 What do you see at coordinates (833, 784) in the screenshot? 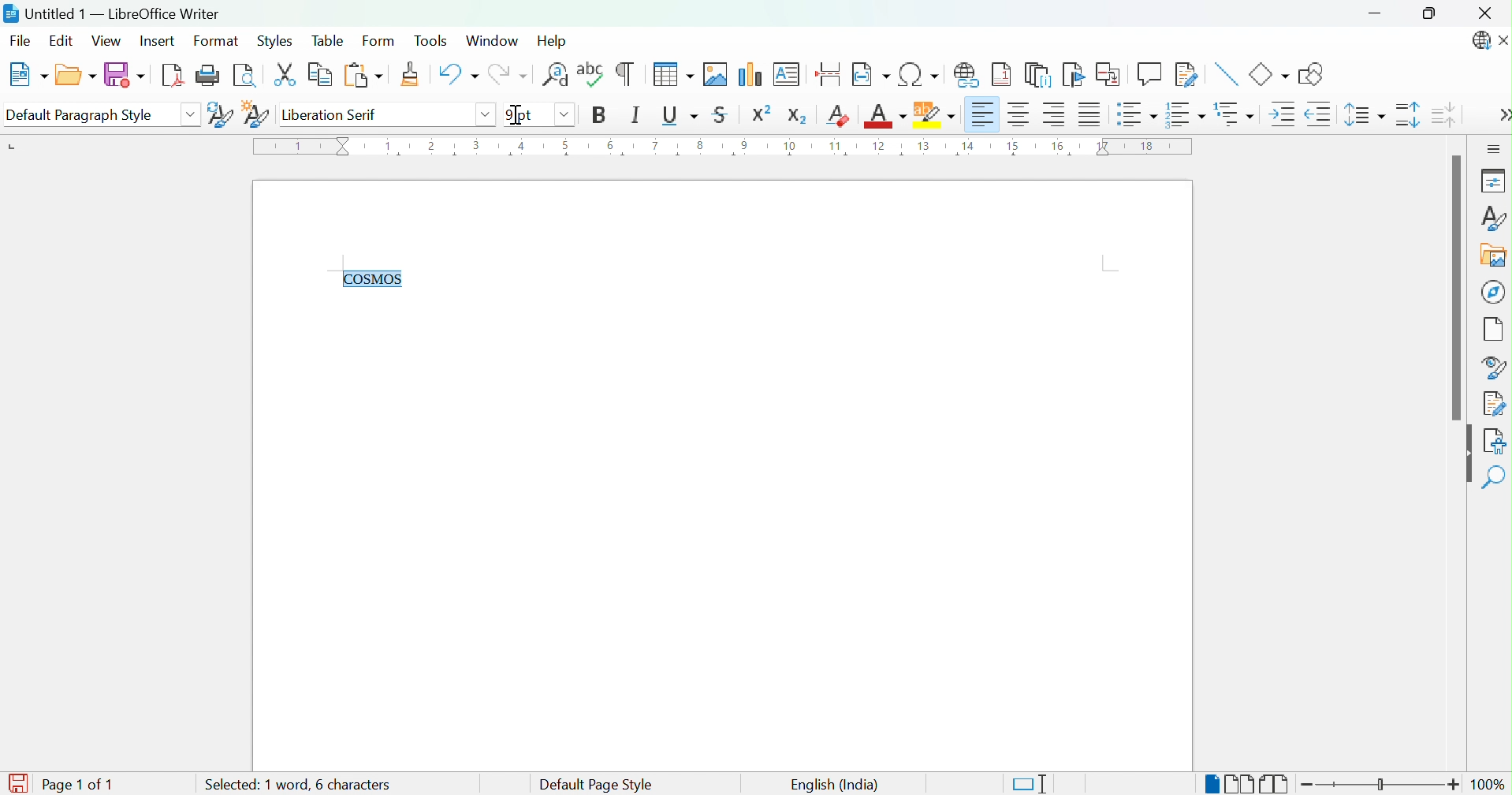
I see `English (India)` at bounding box center [833, 784].